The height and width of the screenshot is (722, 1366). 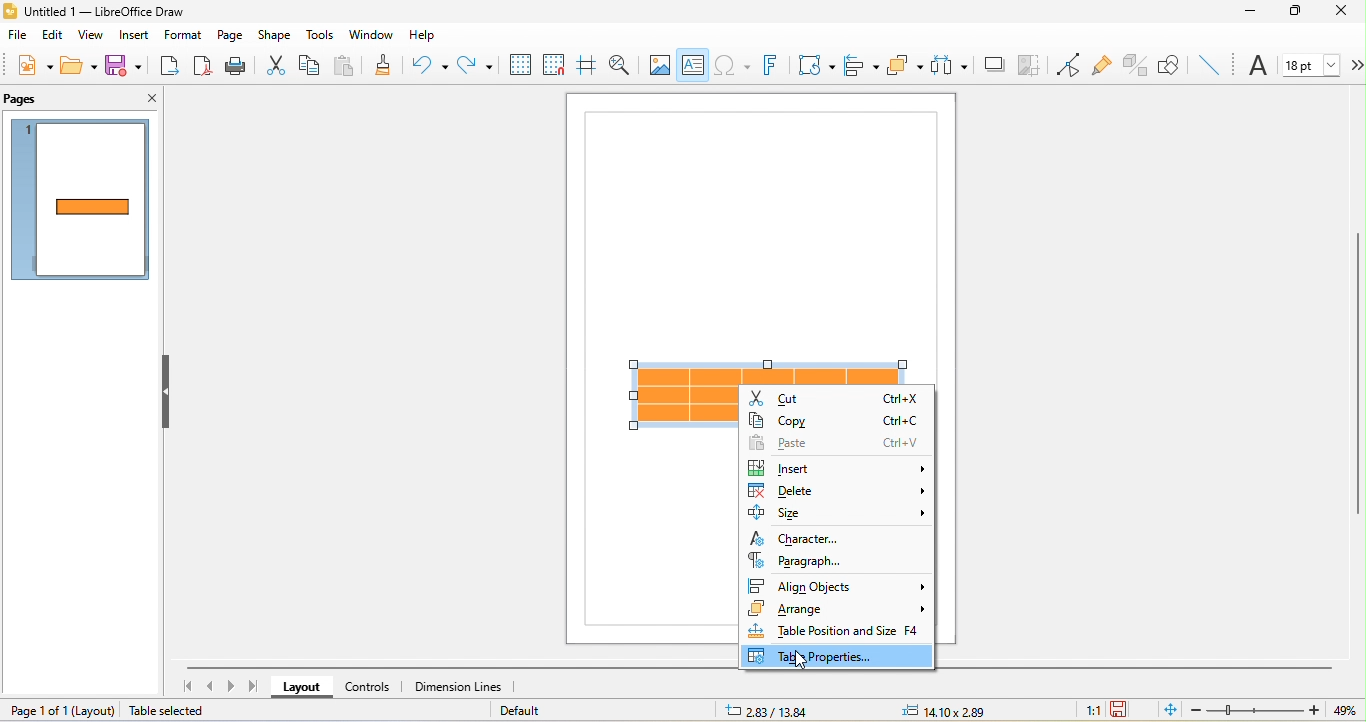 What do you see at coordinates (836, 418) in the screenshot?
I see `copy` at bounding box center [836, 418].